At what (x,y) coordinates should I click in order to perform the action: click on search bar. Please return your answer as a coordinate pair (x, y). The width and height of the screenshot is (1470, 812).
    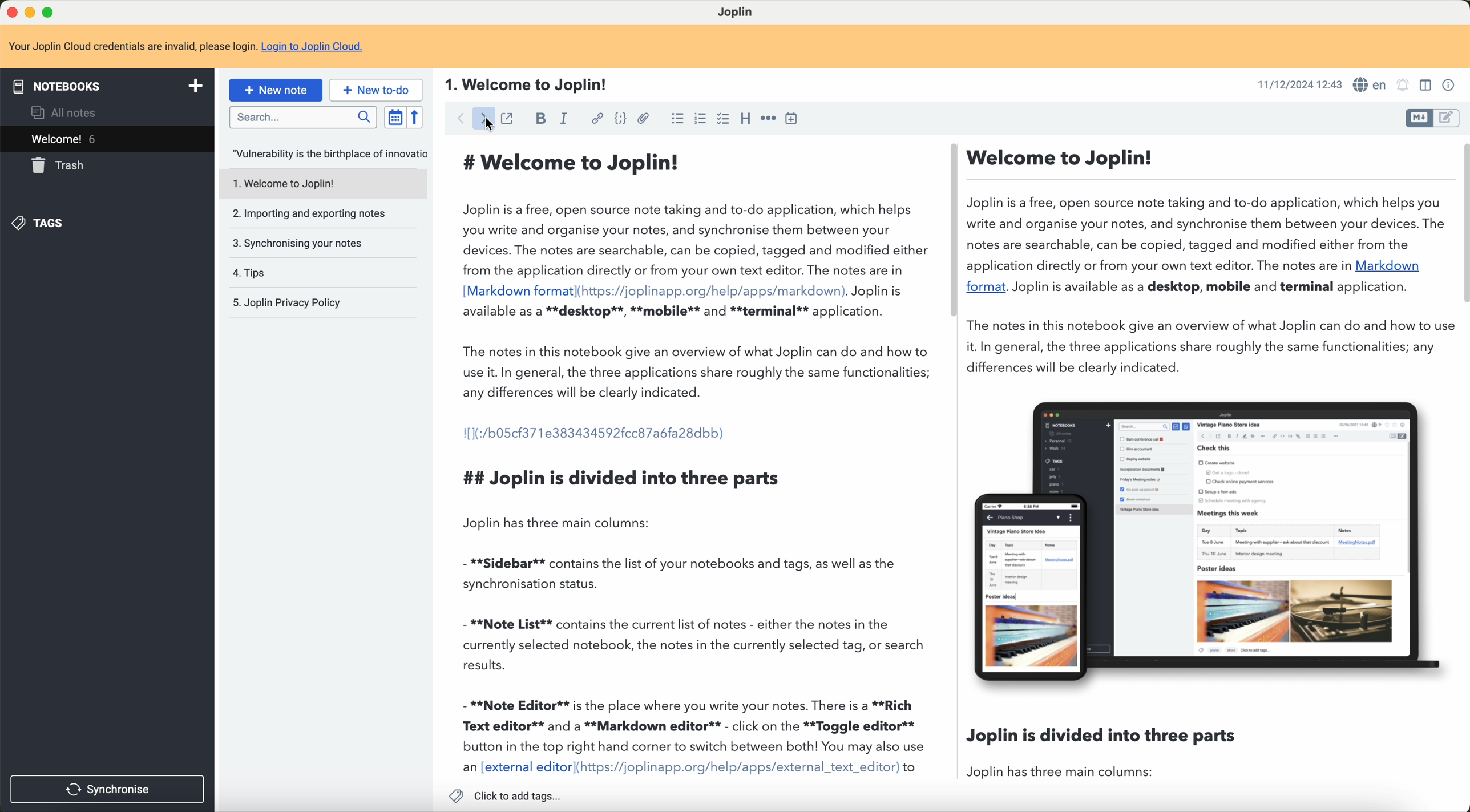
    Looking at the image, I should click on (301, 116).